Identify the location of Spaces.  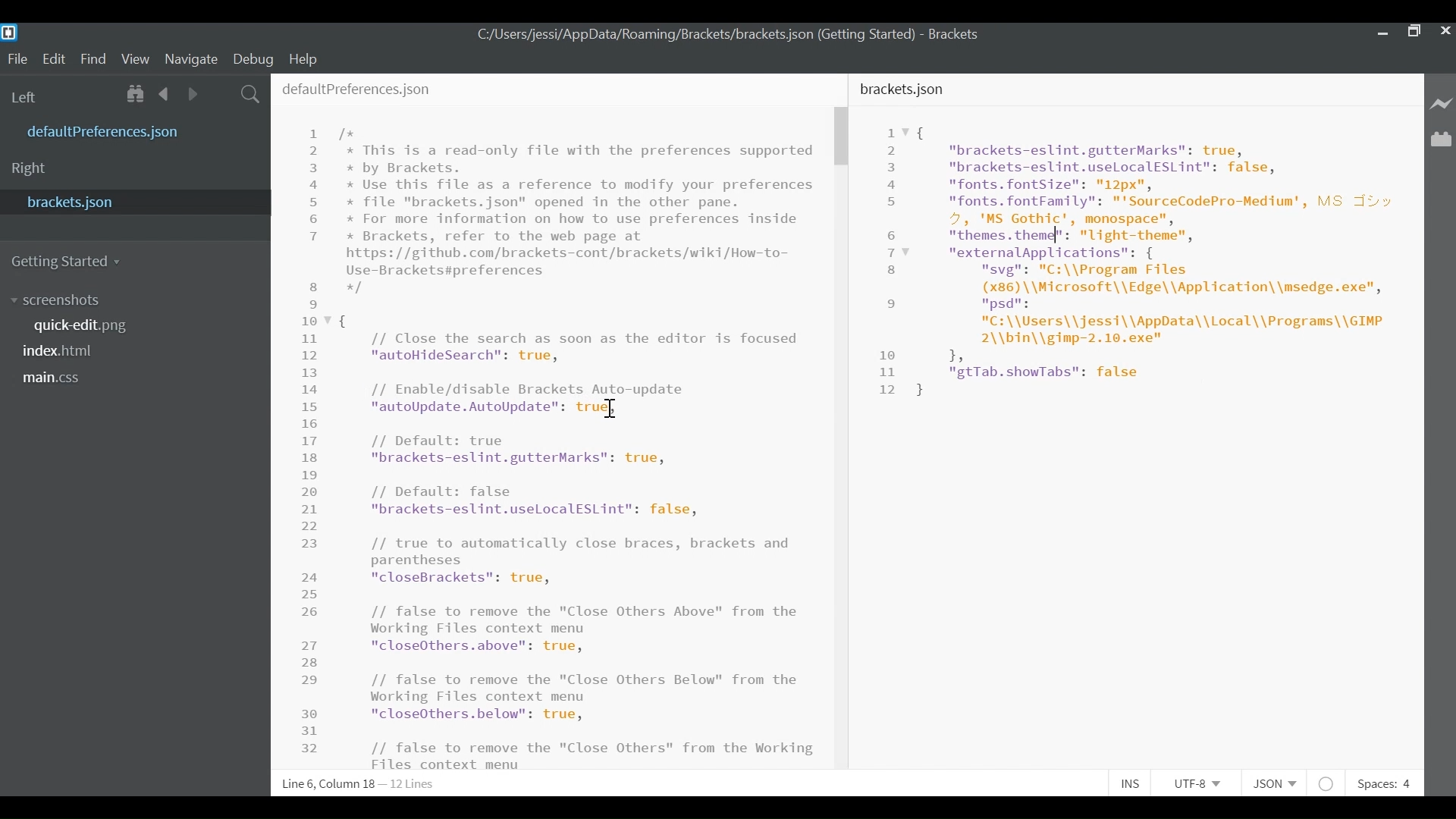
(1387, 783).